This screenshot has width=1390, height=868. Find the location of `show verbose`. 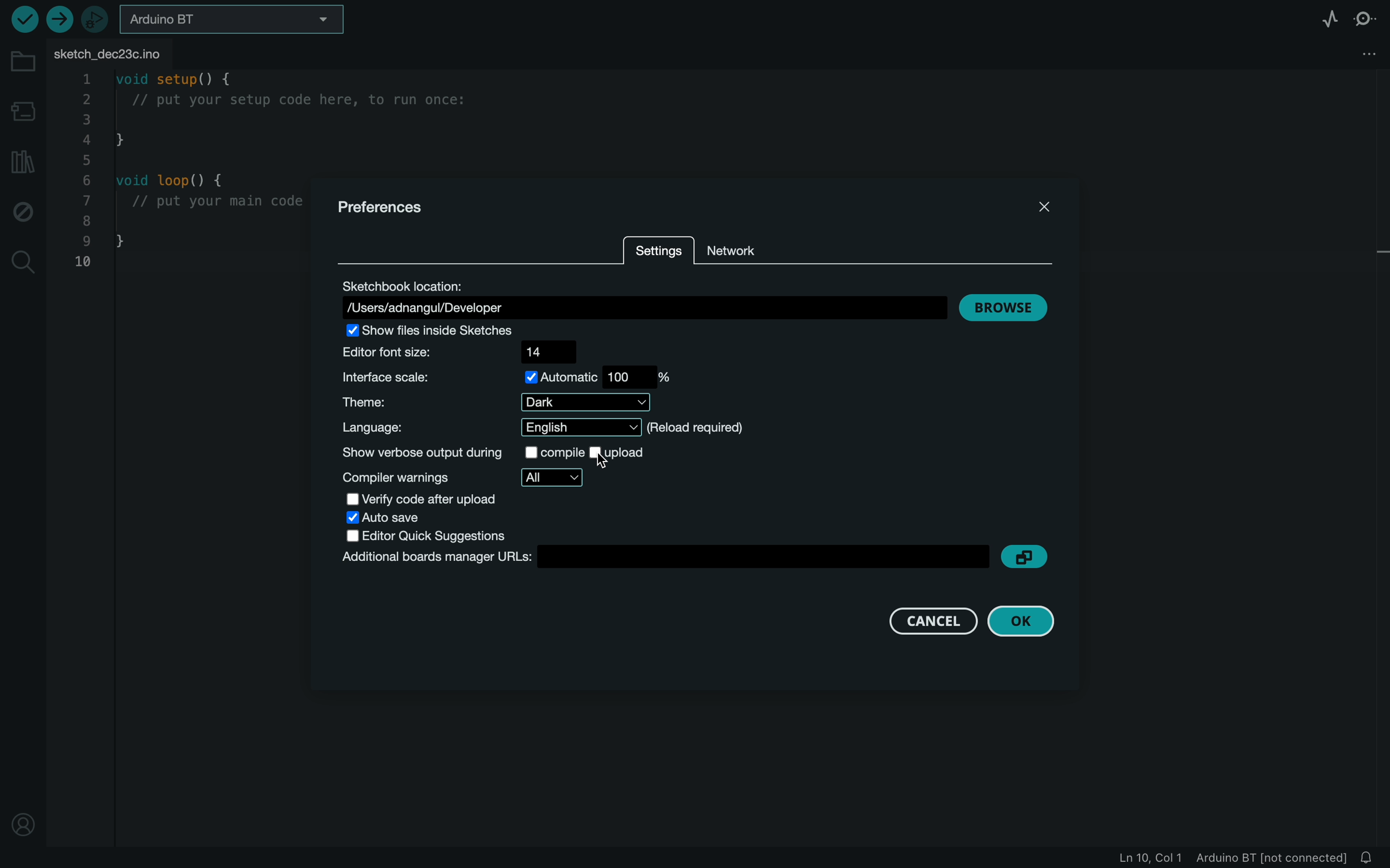

show verbose is located at coordinates (491, 454).